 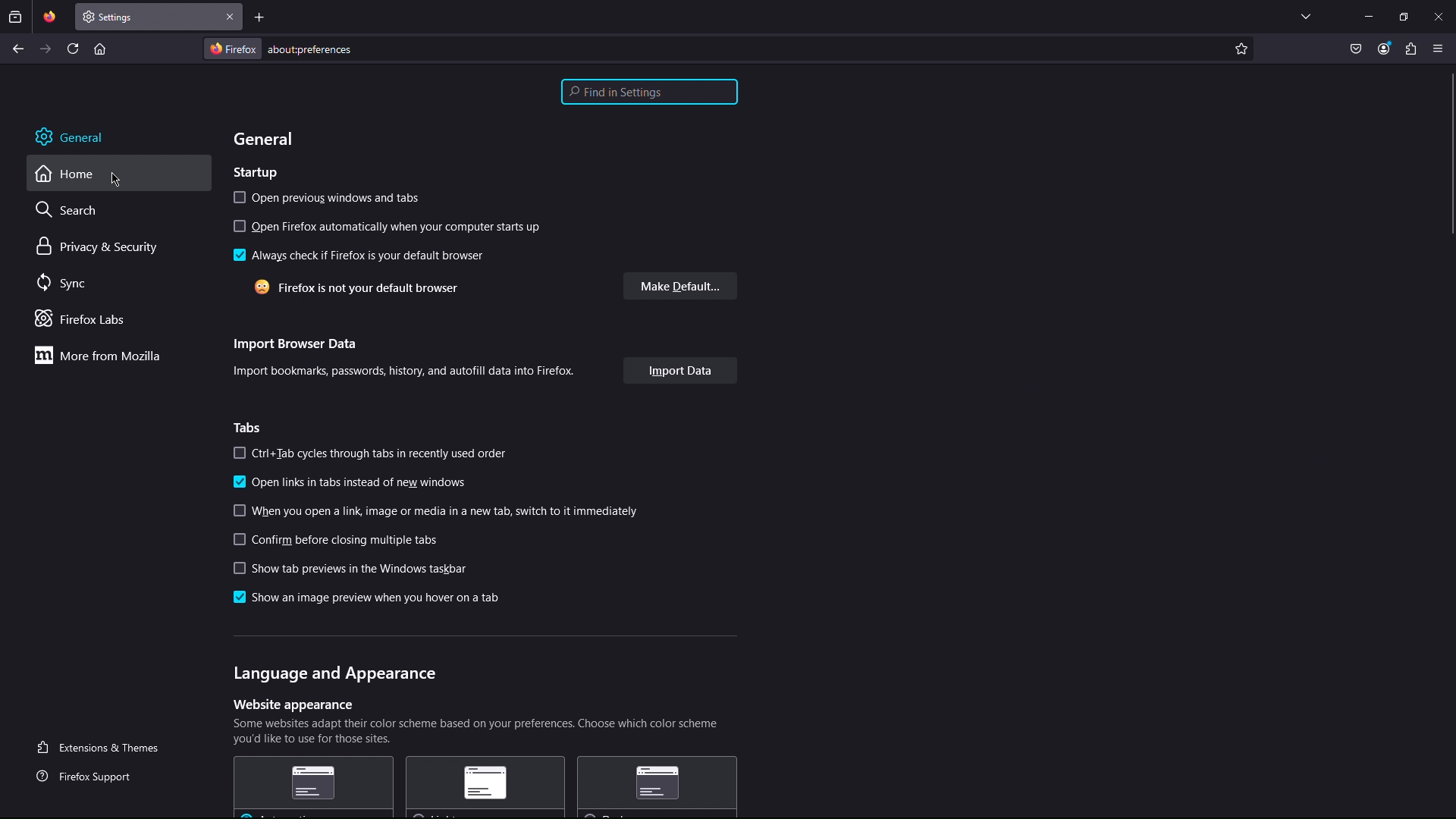 I want to click on Search, so click(x=69, y=209).